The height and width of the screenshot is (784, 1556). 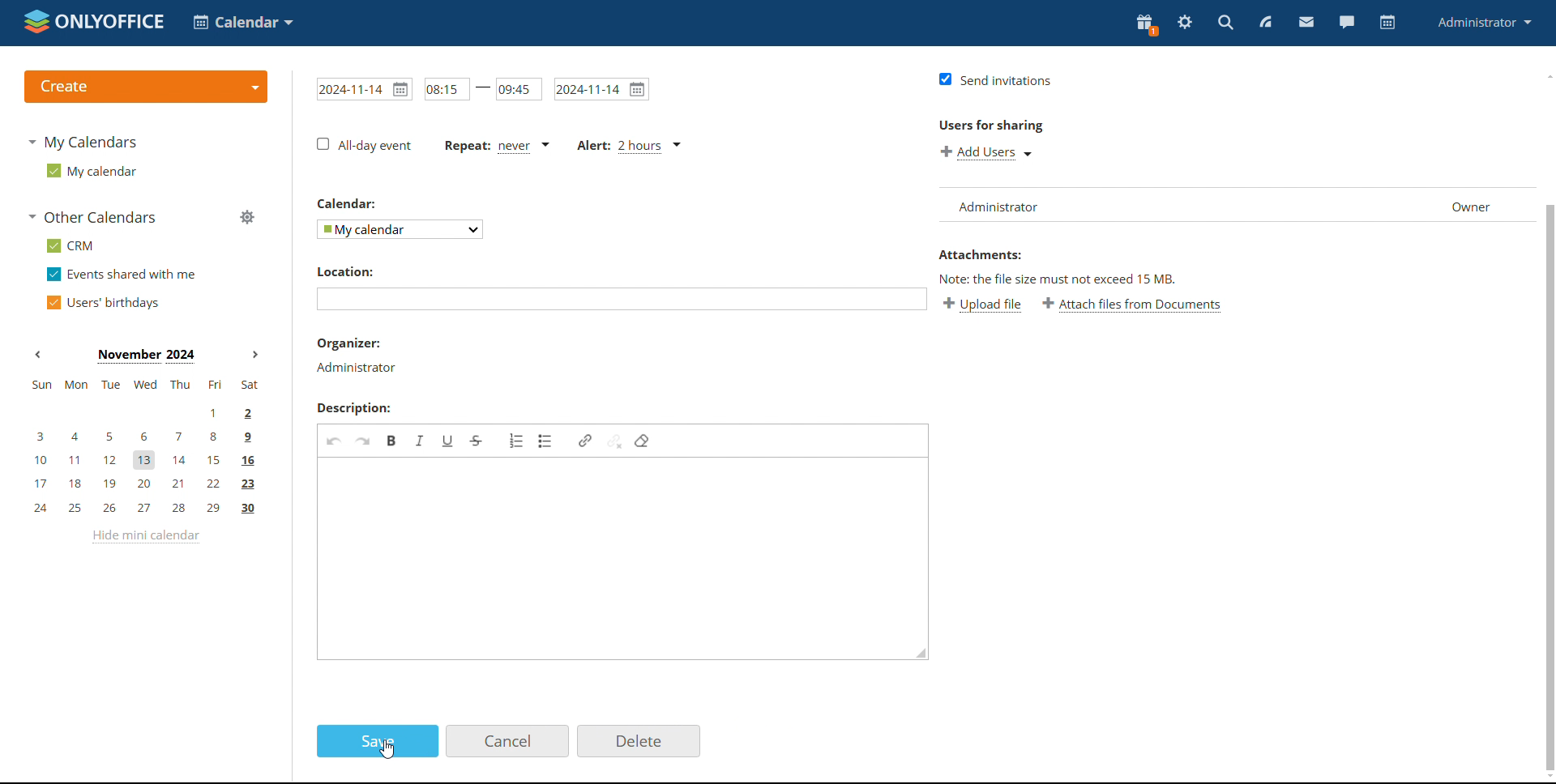 What do you see at coordinates (498, 146) in the screenshot?
I see `event repetition` at bounding box center [498, 146].